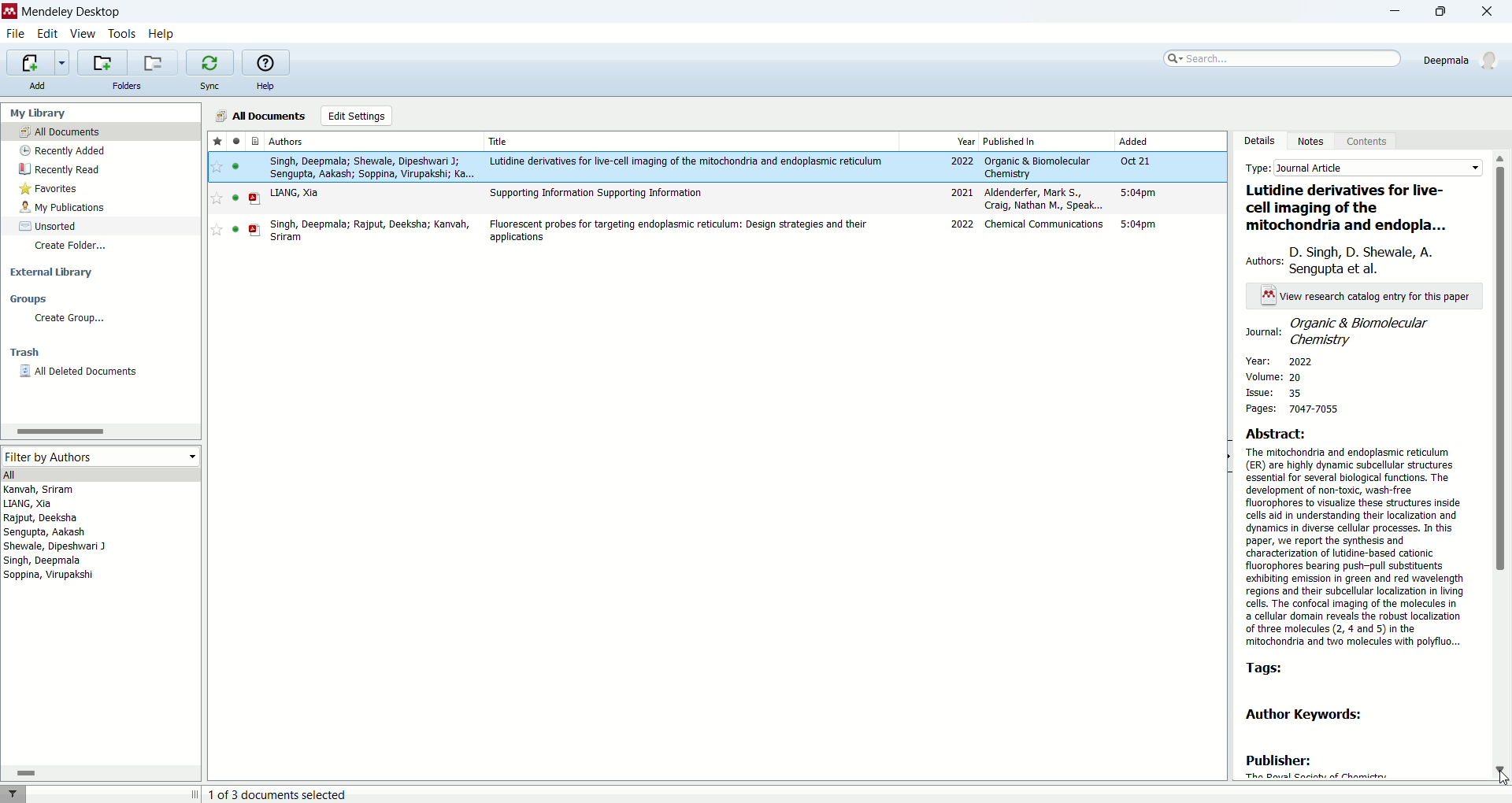  I want to click on author keywords: , so click(1303, 716).